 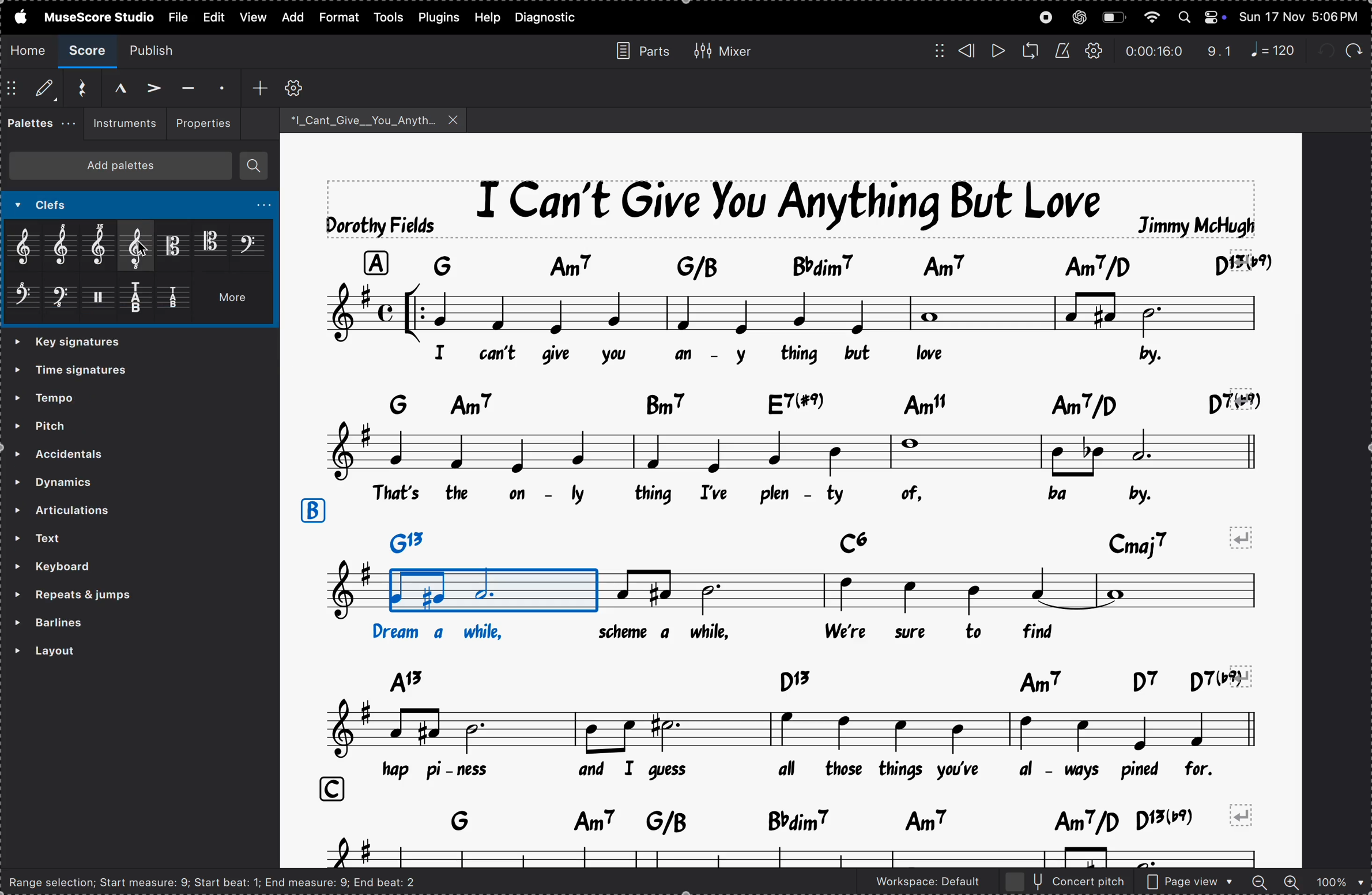 I want to click on parts, so click(x=638, y=50).